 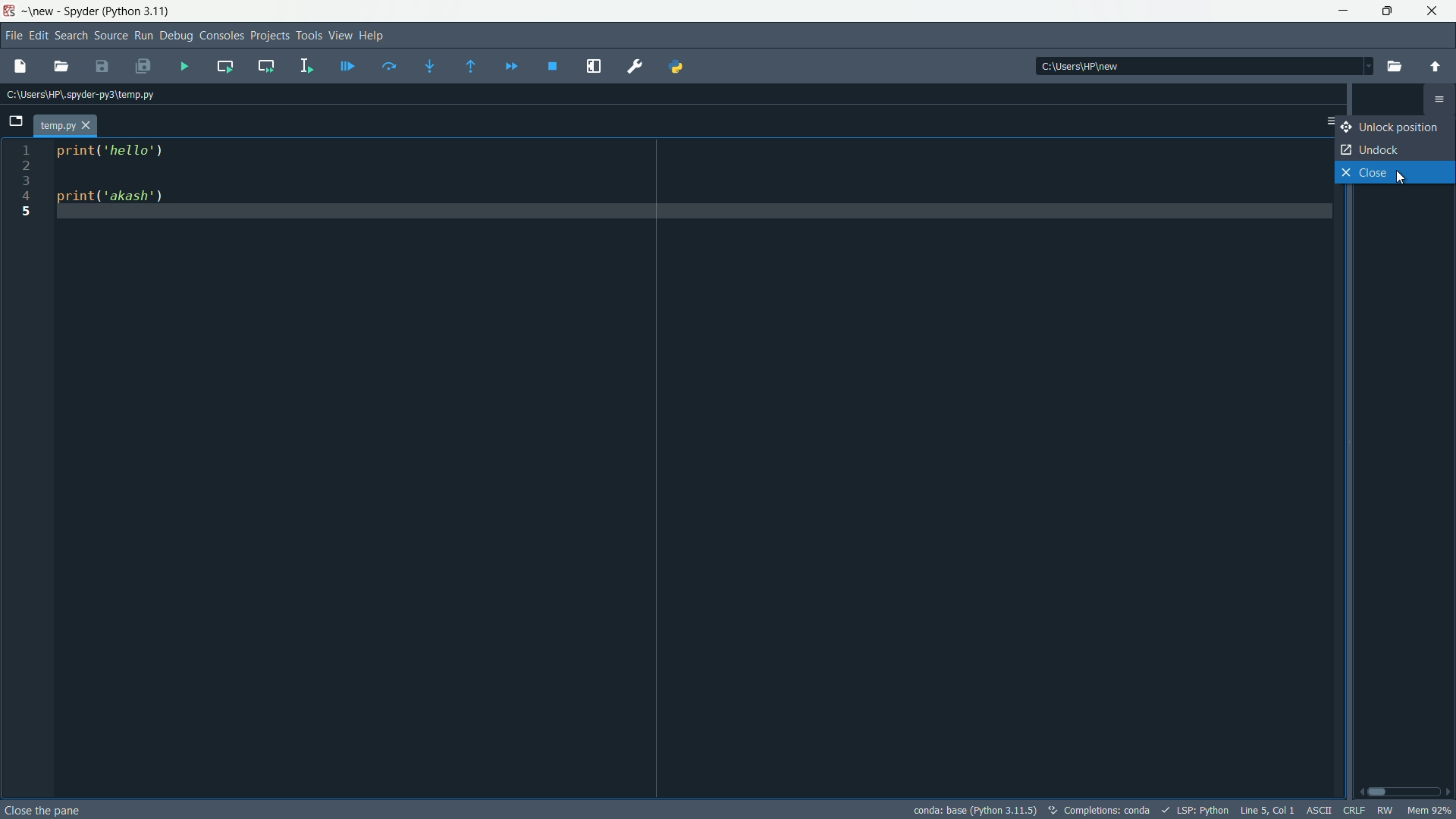 I want to click on file tab, so click(x=64, y=127).